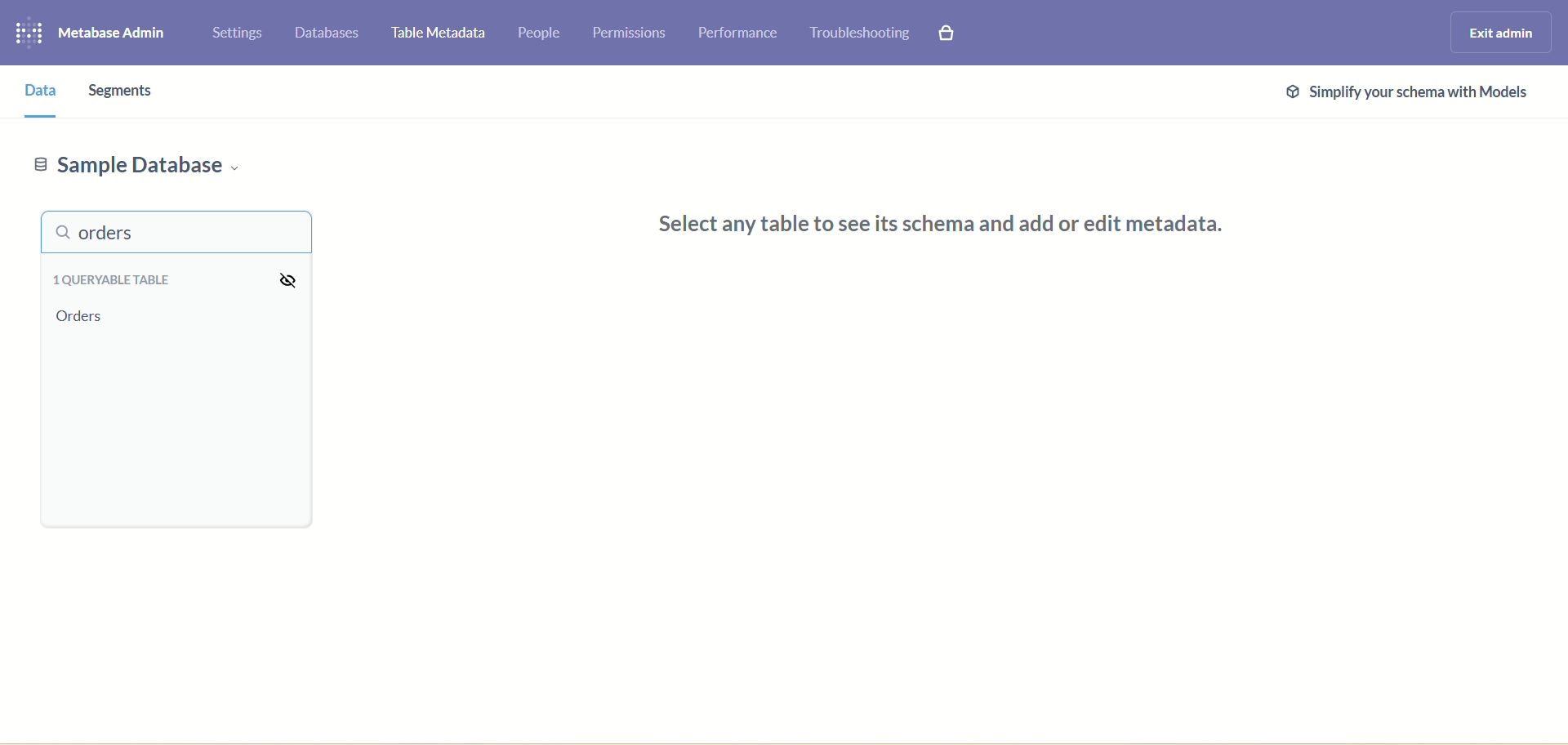 Image resolution: width=1568 pixels, height=745 pixels. Describe the element at coordinates (939, 225) in the screenshot. I see `Select any table to see its schema and add or edit metadata.` at that location.